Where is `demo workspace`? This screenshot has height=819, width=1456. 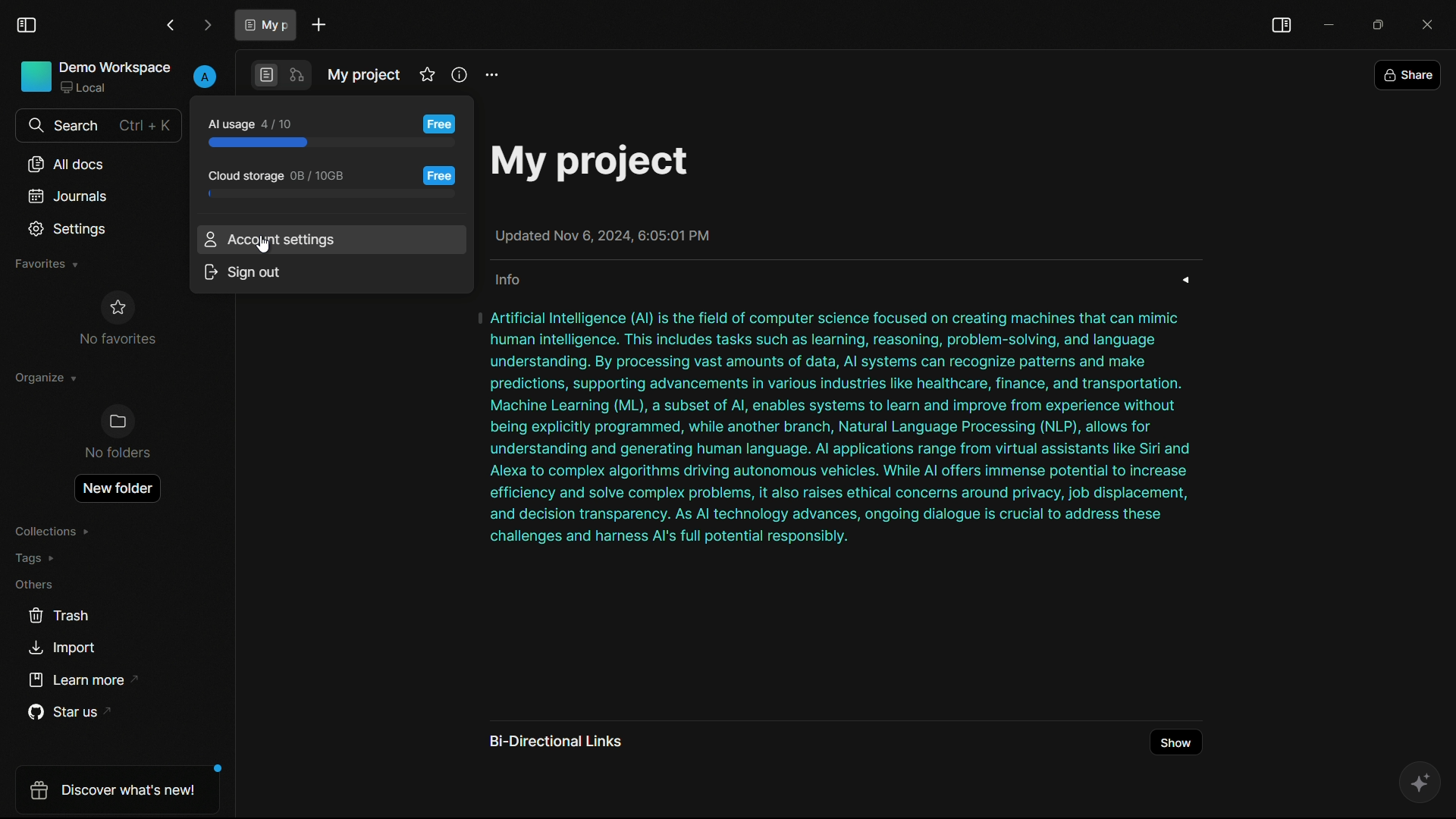 demo workspace is located at coordinates (96, 79).